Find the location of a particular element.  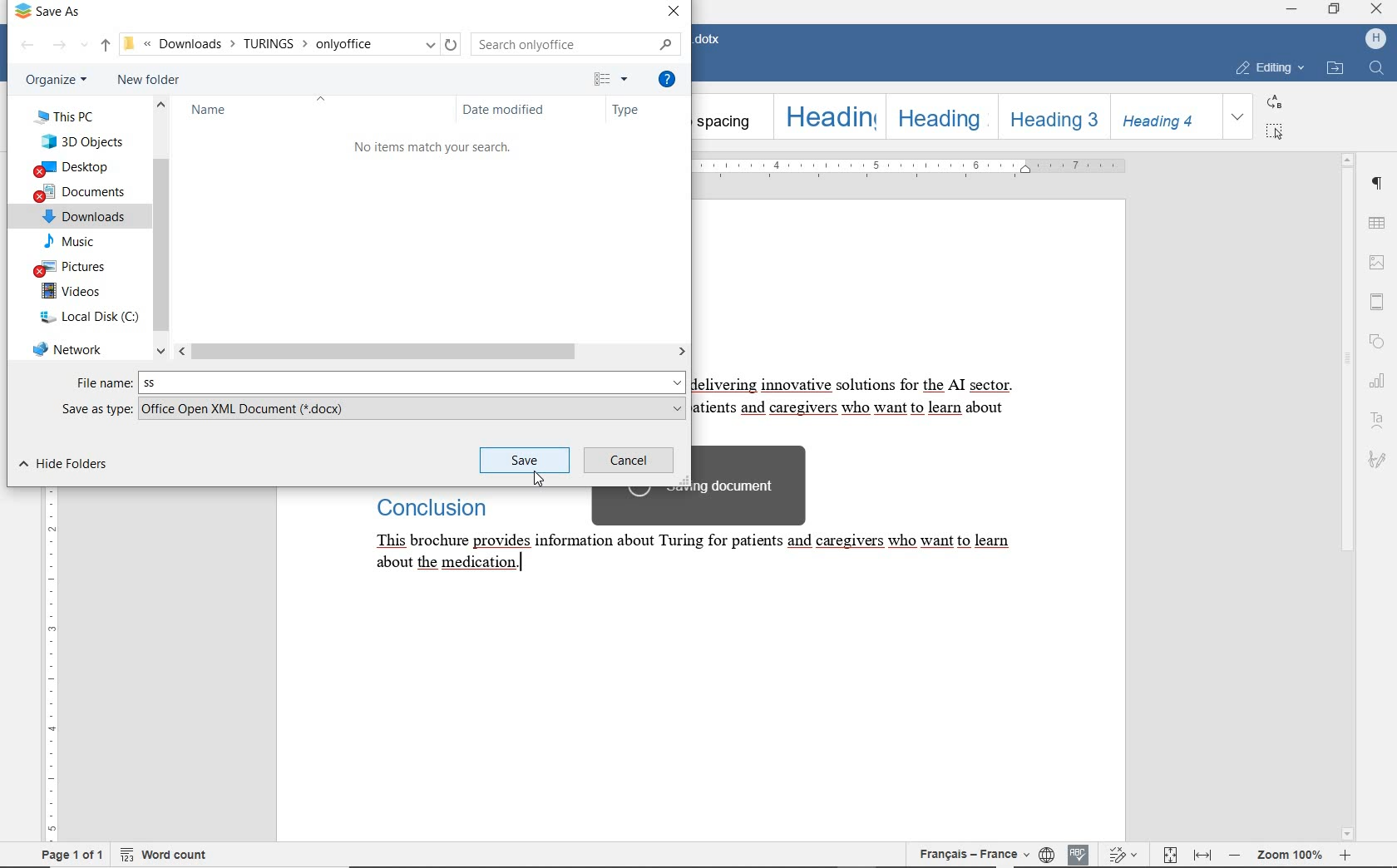

Recent location is located at coordinates (85, 47).